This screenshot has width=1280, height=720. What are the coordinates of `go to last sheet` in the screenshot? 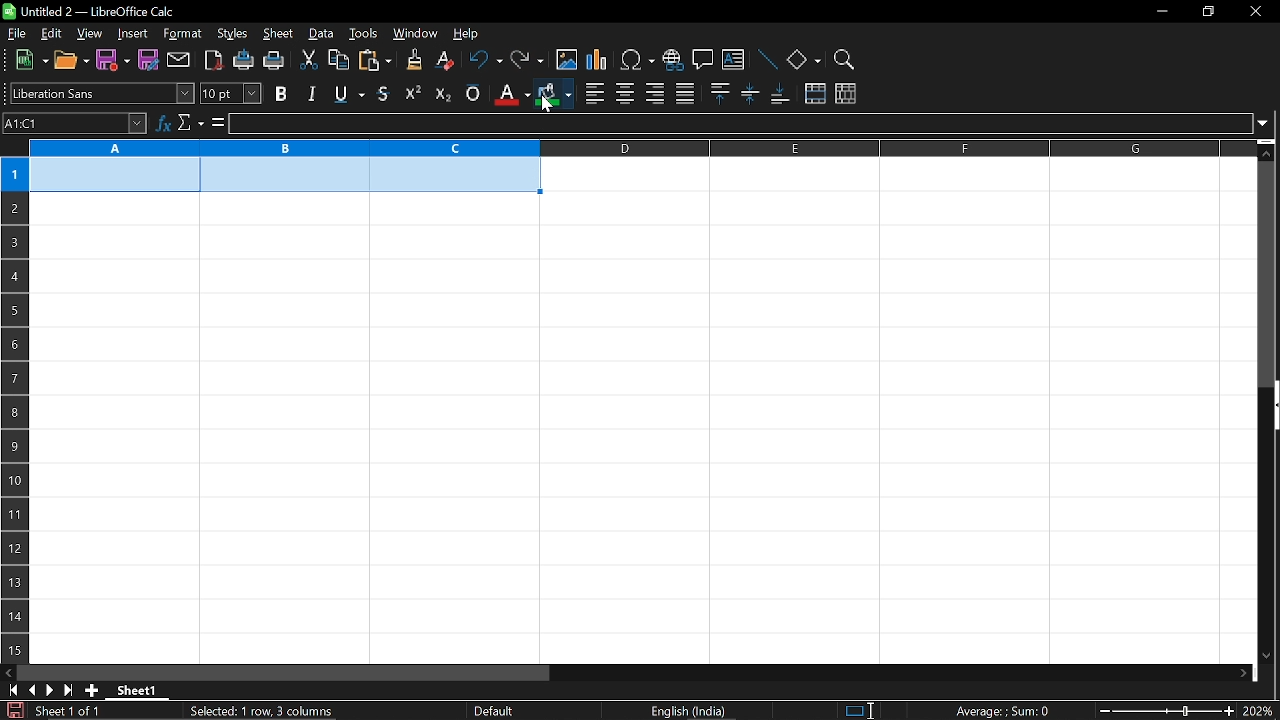 It's located at (66, 691).